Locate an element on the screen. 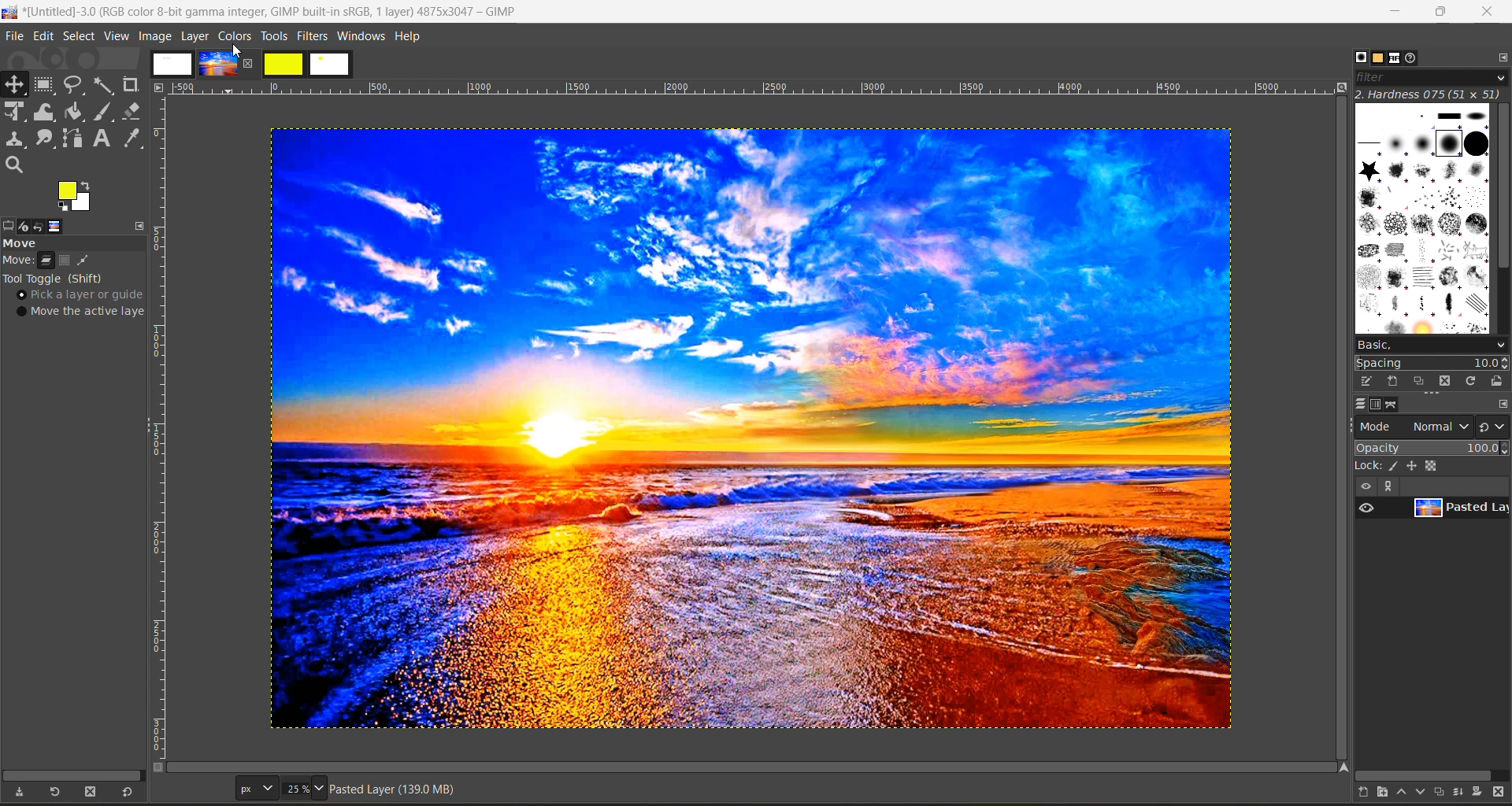 Image resolution: width=1512 pixels, height=806 pixels. create a new layer is located at coordinates (1369, 794).